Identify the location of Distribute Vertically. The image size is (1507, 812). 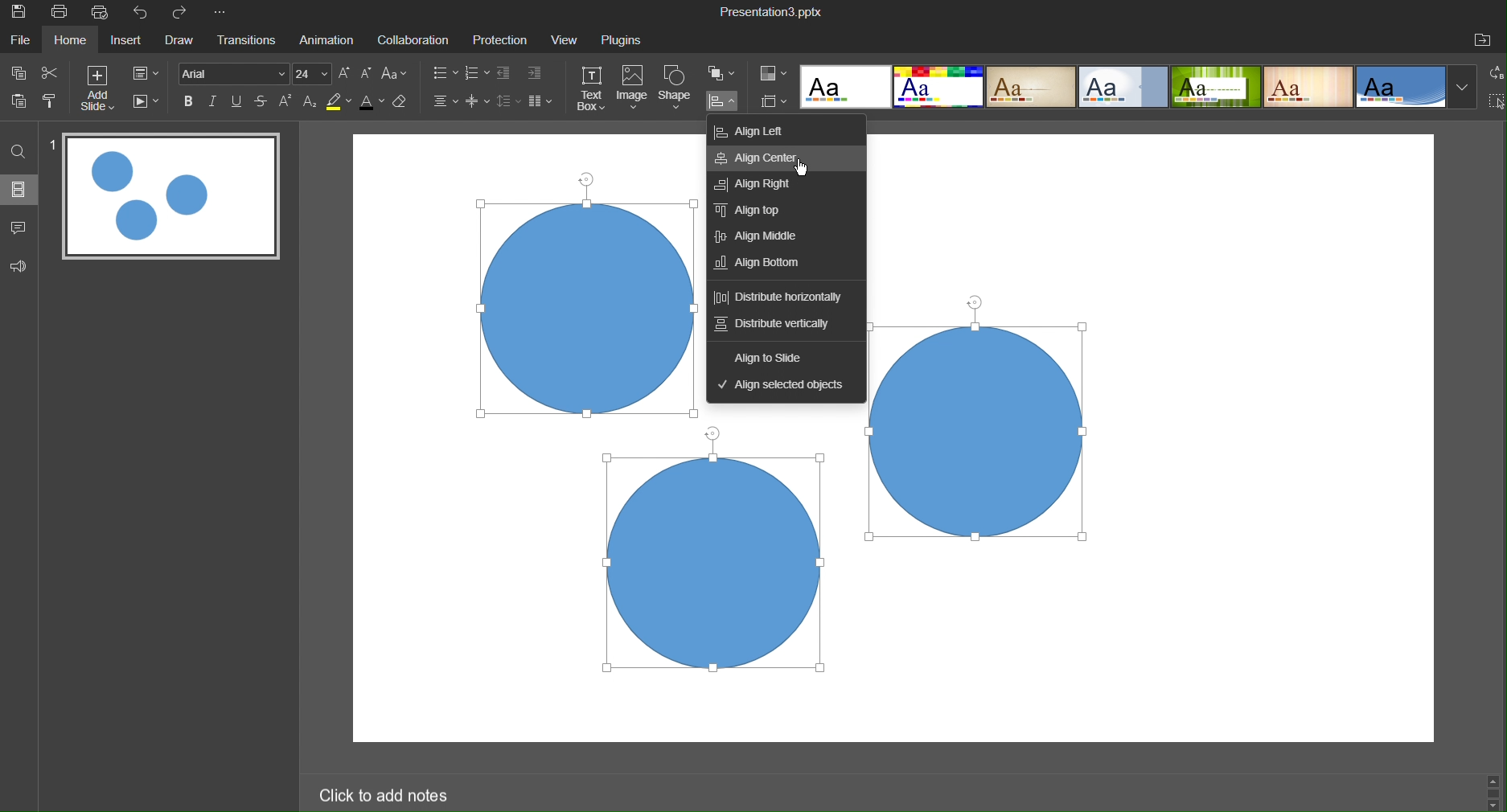
(774, 326).